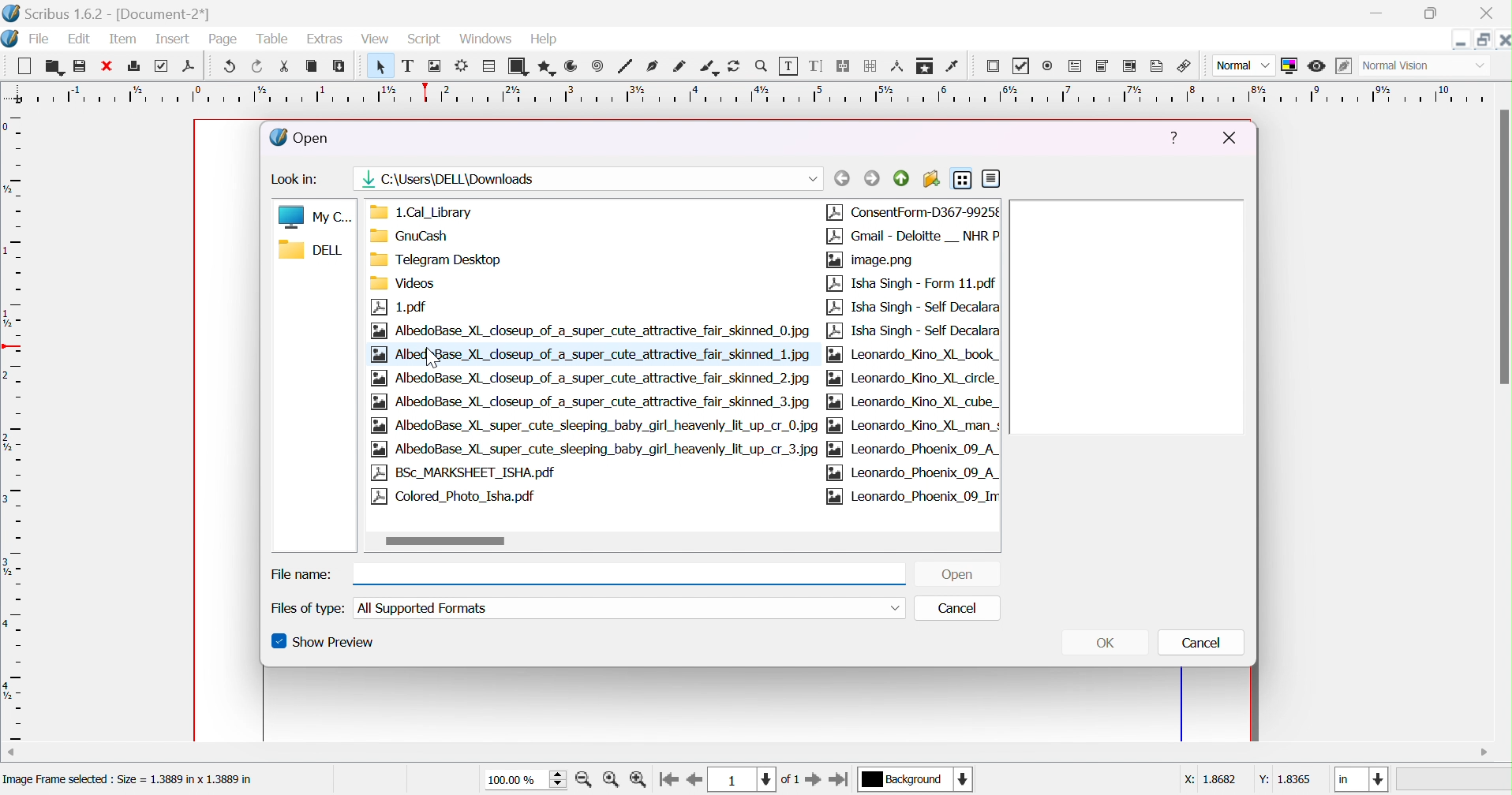 The width and height of the screenshot is (1512, 795). What do you see at coordinates (1380, 14) in the screenshot?
I see `minimize` at bounding box center [1380, 14].